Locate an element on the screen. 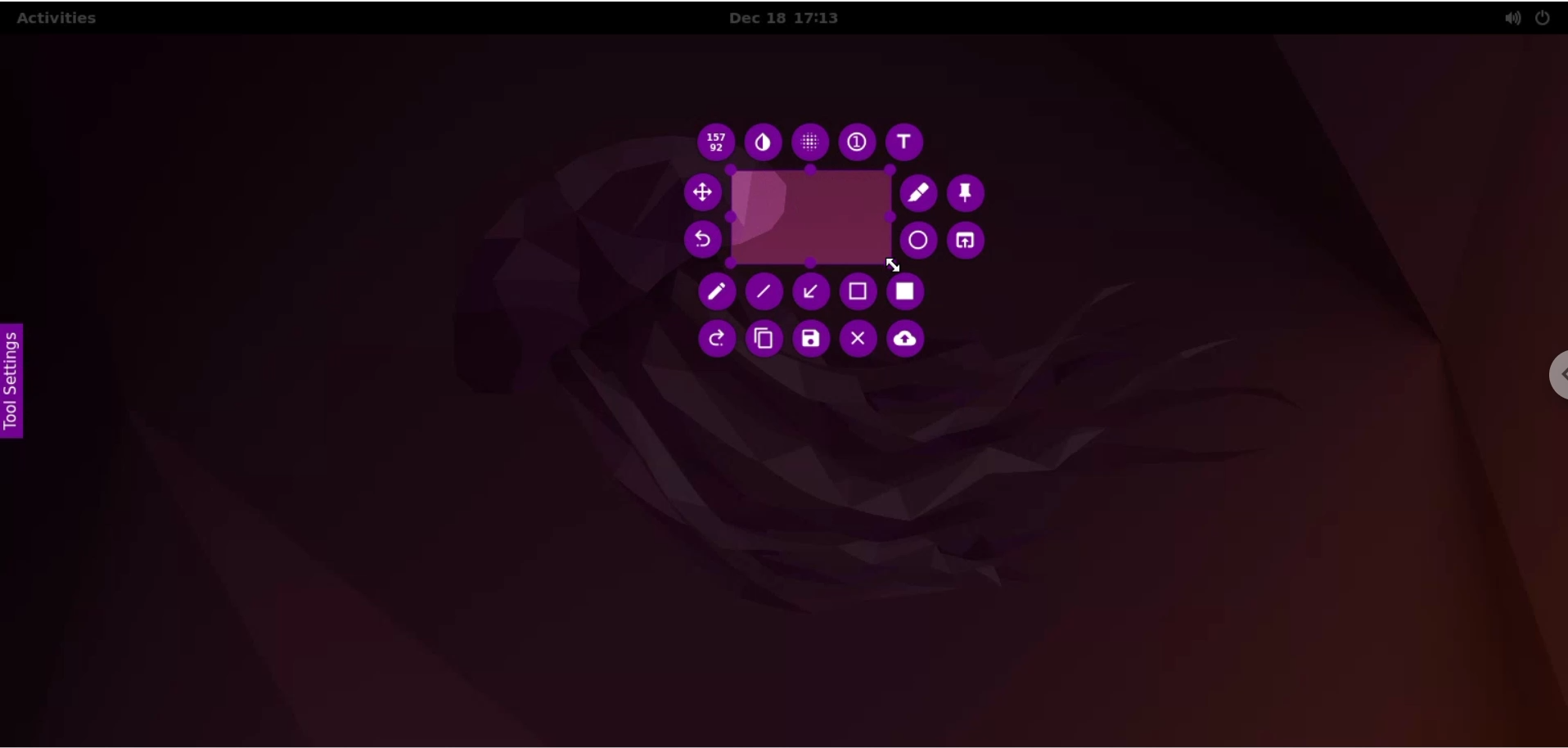  cursor is located at coordinates (897, 265).